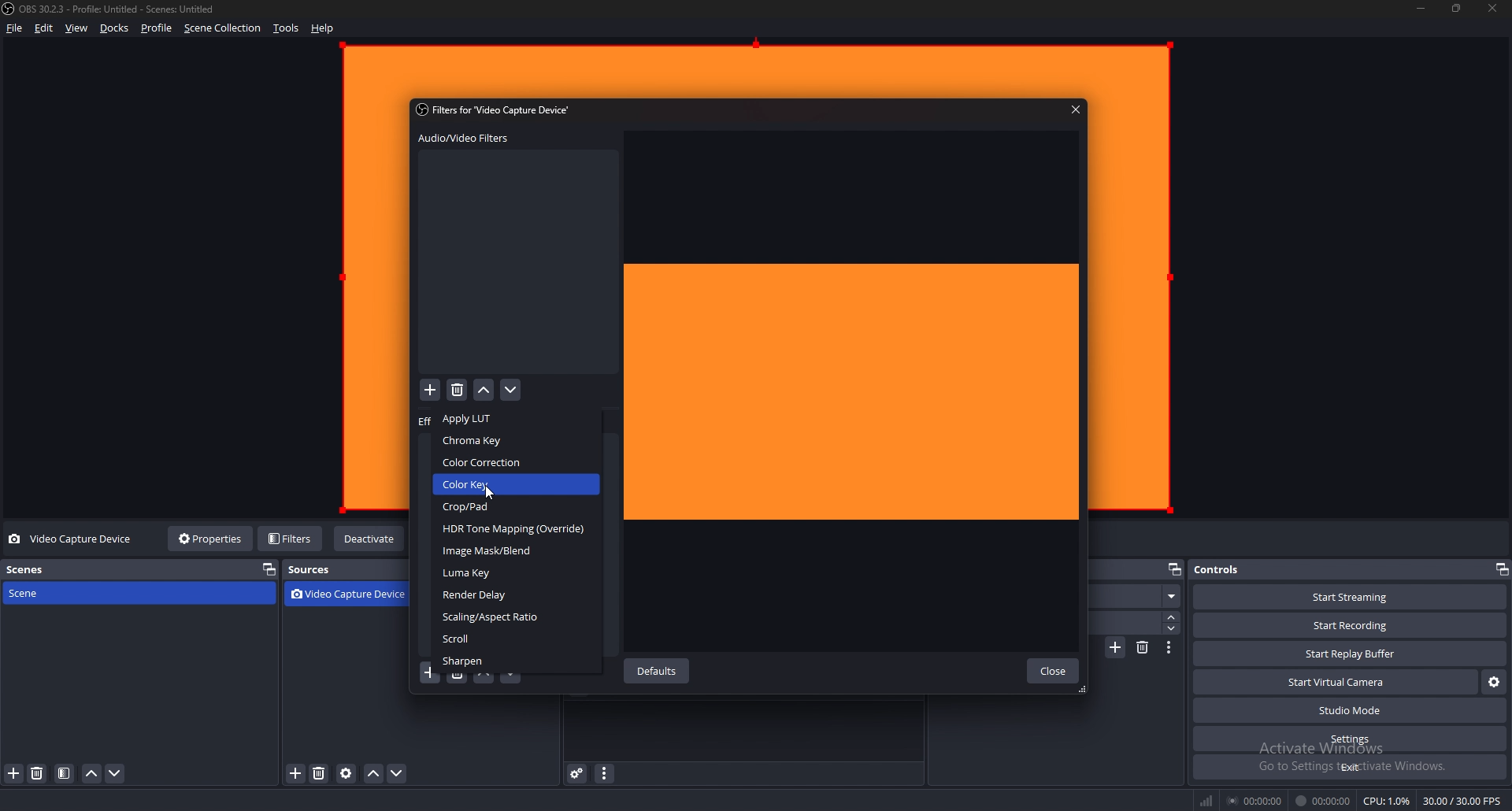 The width and height of the screenshot is (1512, 811). What do you see at coordinates (1349, 767) in the screenshot?
I see `exit` at bounding box center [1349, 767].